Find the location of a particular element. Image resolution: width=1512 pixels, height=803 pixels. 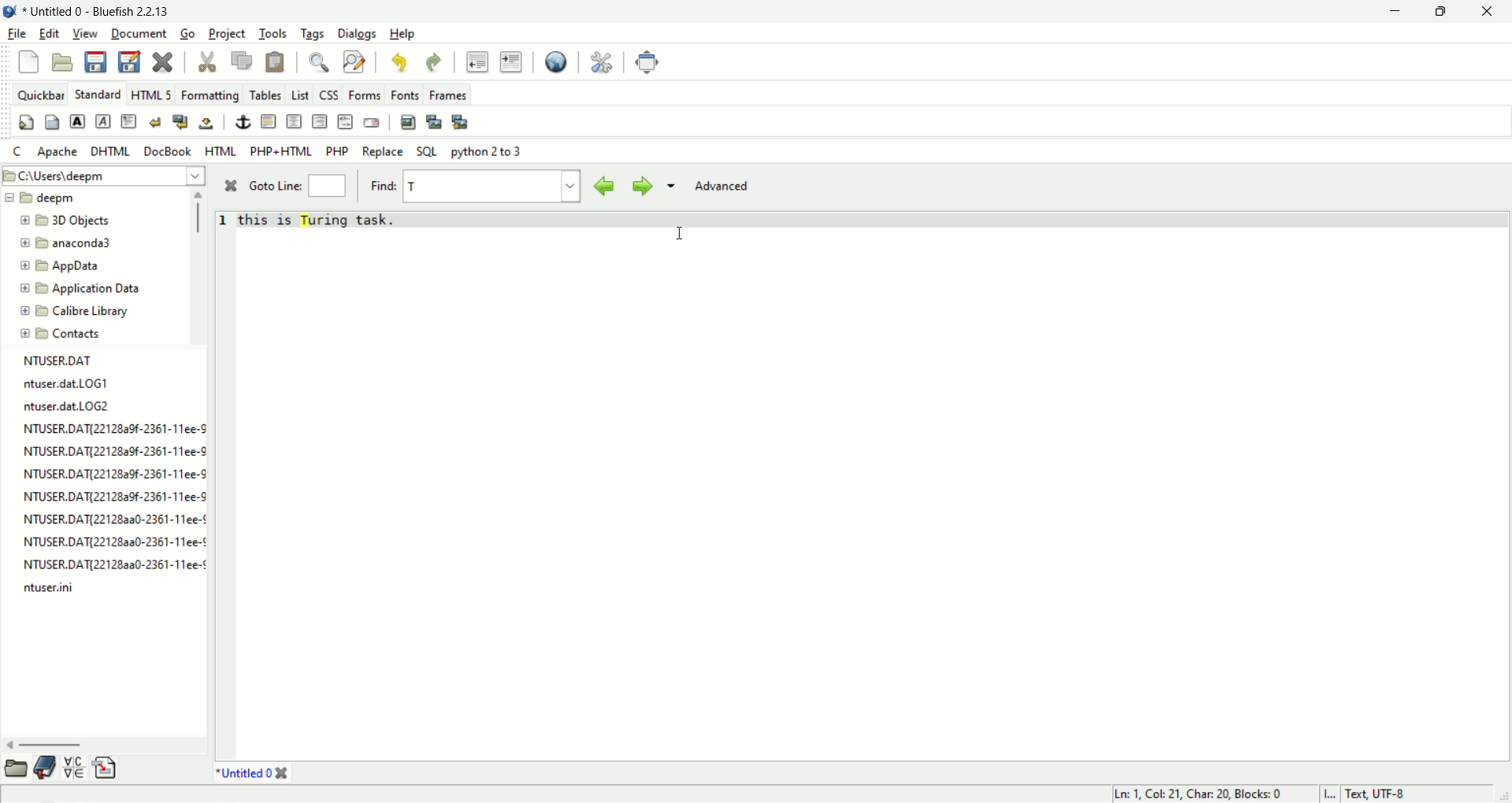

folder name is located at coordinates (69, 267).